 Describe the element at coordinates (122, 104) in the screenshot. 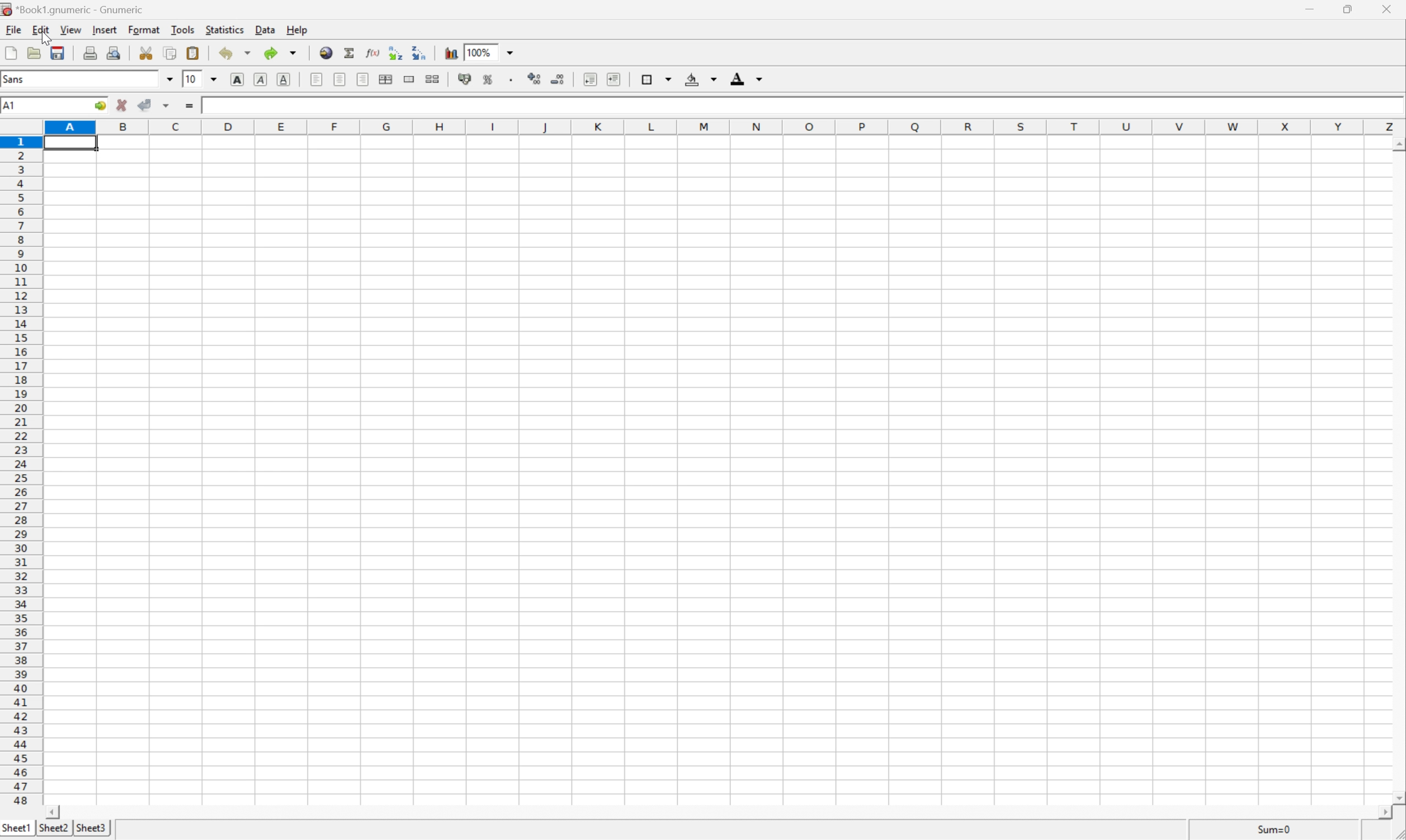

I see `cancel selection` at that location.